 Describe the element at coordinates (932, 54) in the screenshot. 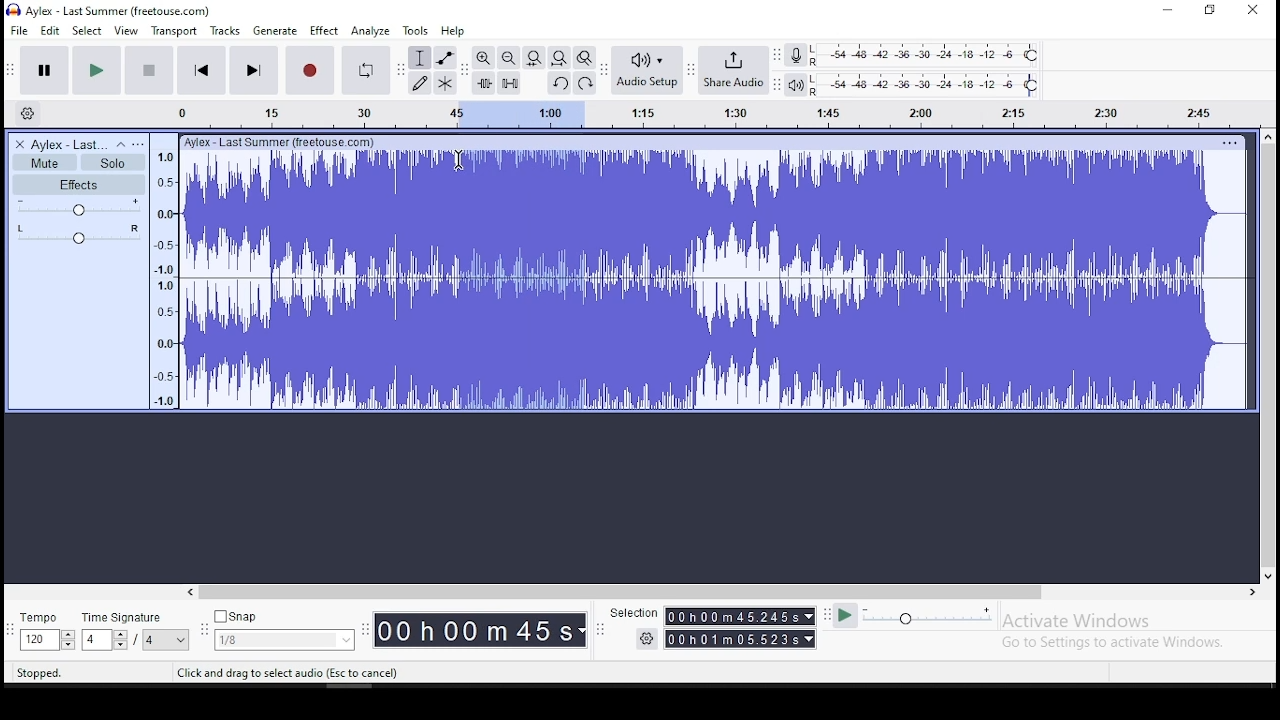

I see `recording level` at that location.